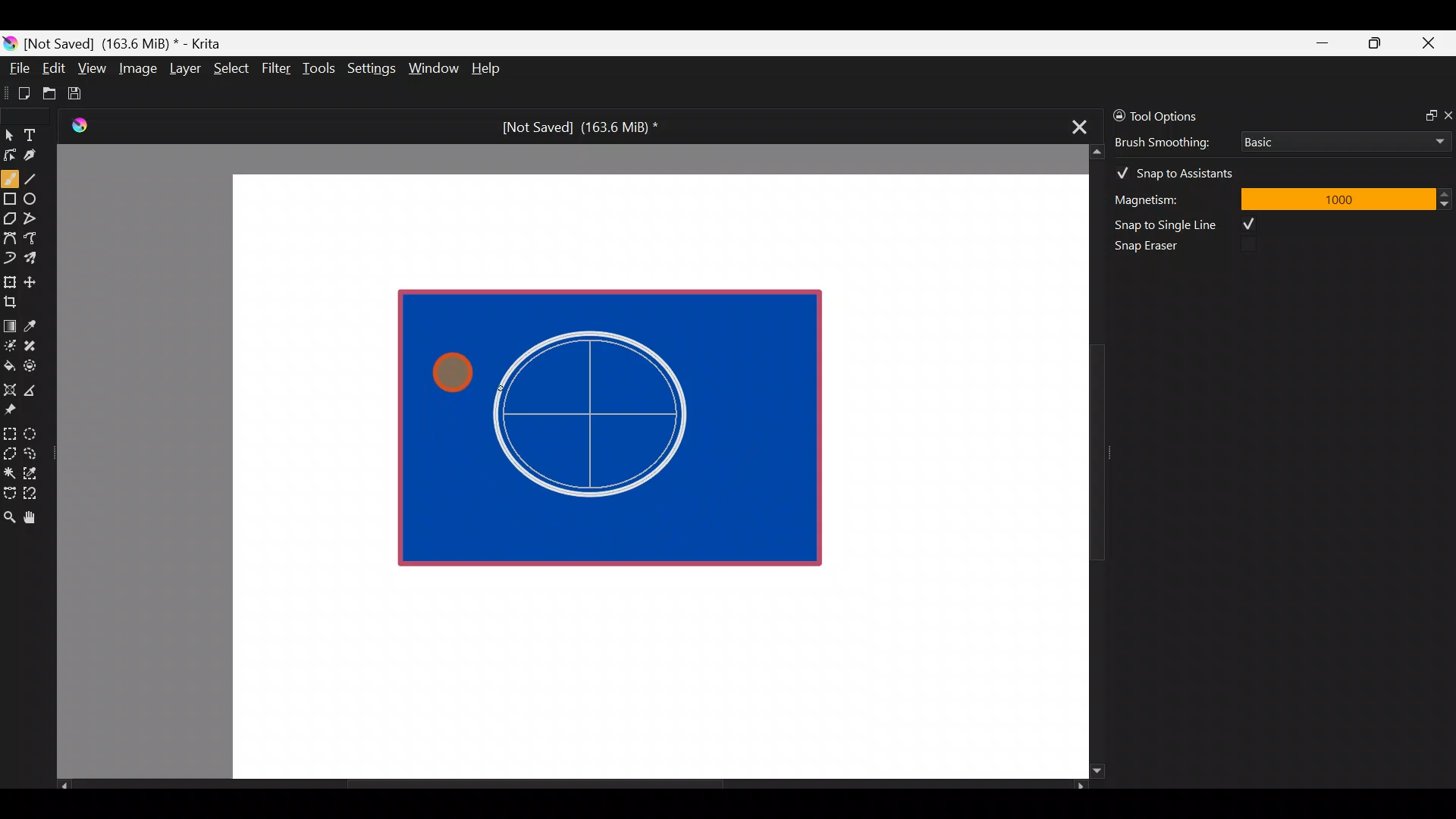 This screenshot has height=819, width=1456. Describe the element at coordinates (33, 452) in the screenshot. I see `Freehand selection tool` at that location.